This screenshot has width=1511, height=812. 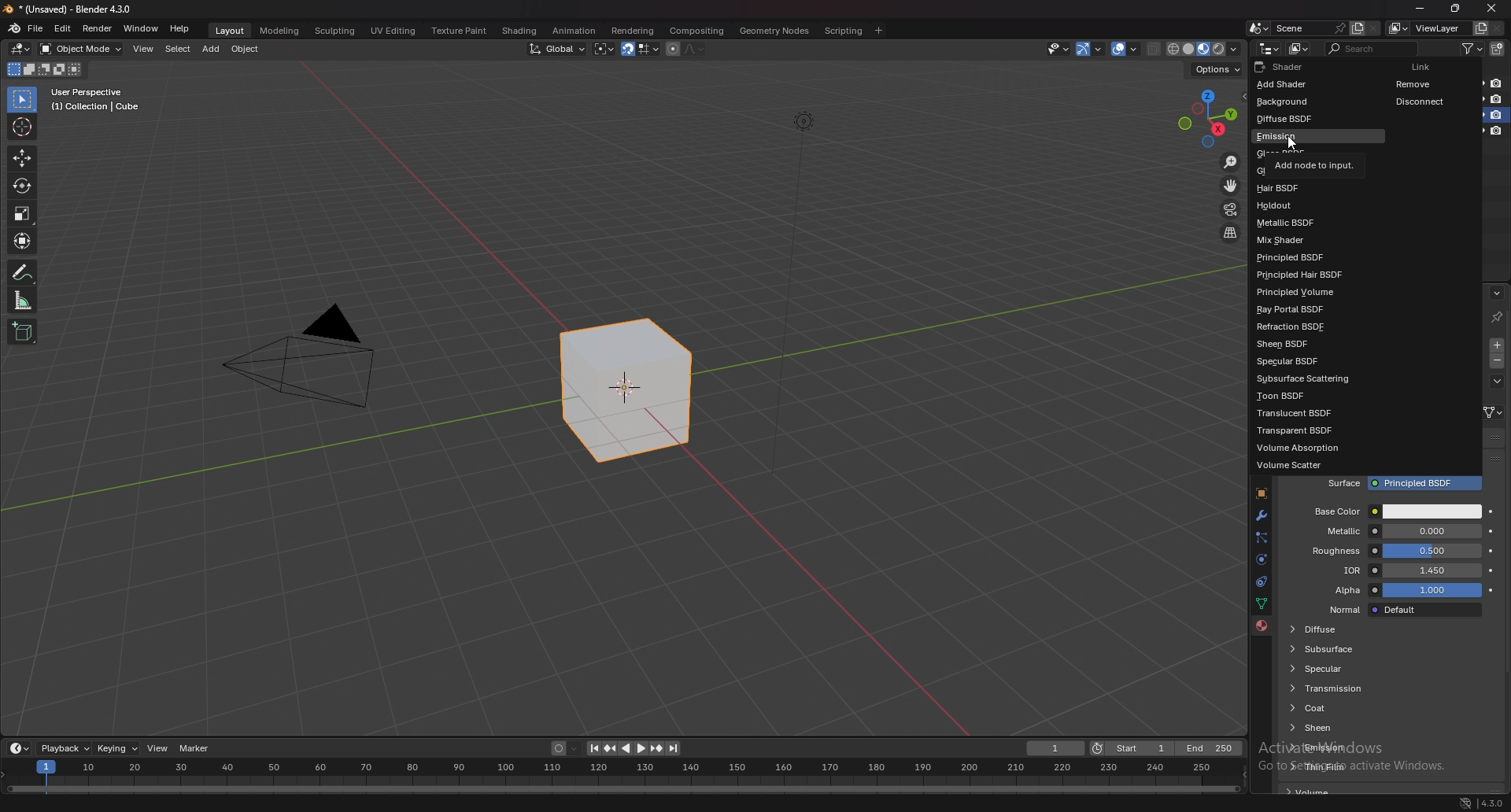 What do you see at coordinates (1127, 50) in the screenshot?
I see `overlays` at bounding box center [1127, 50].